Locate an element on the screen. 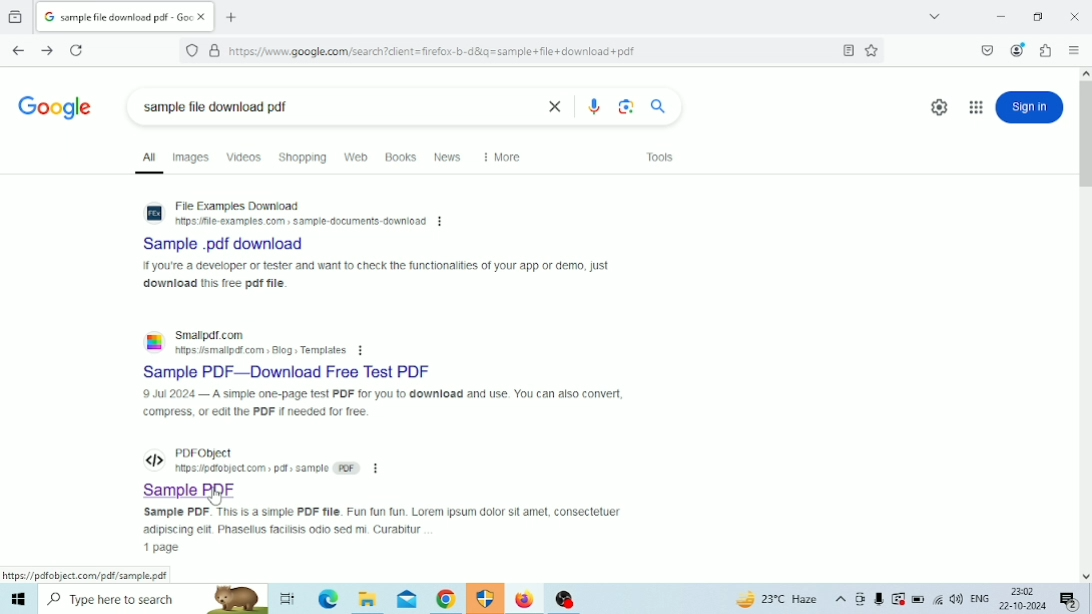  Search by image is located at coordinates (625, 107).